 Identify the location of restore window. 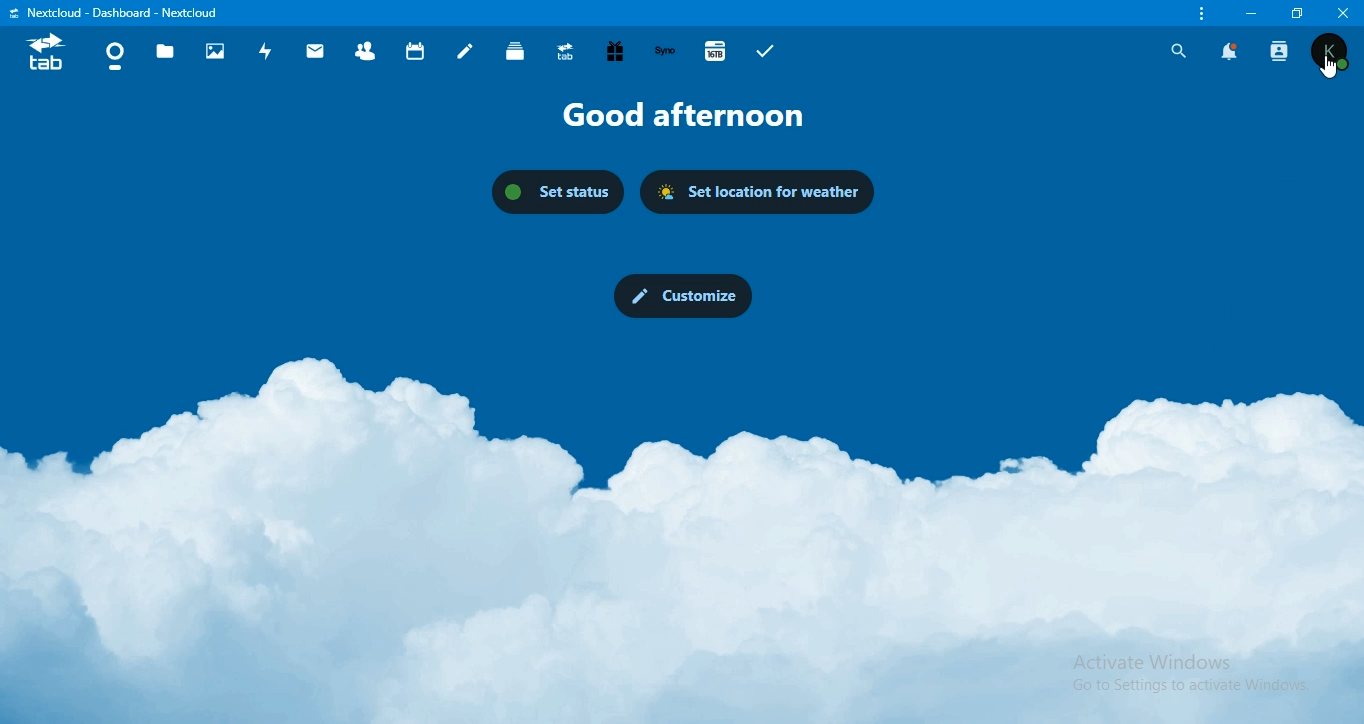
(1292, 12).